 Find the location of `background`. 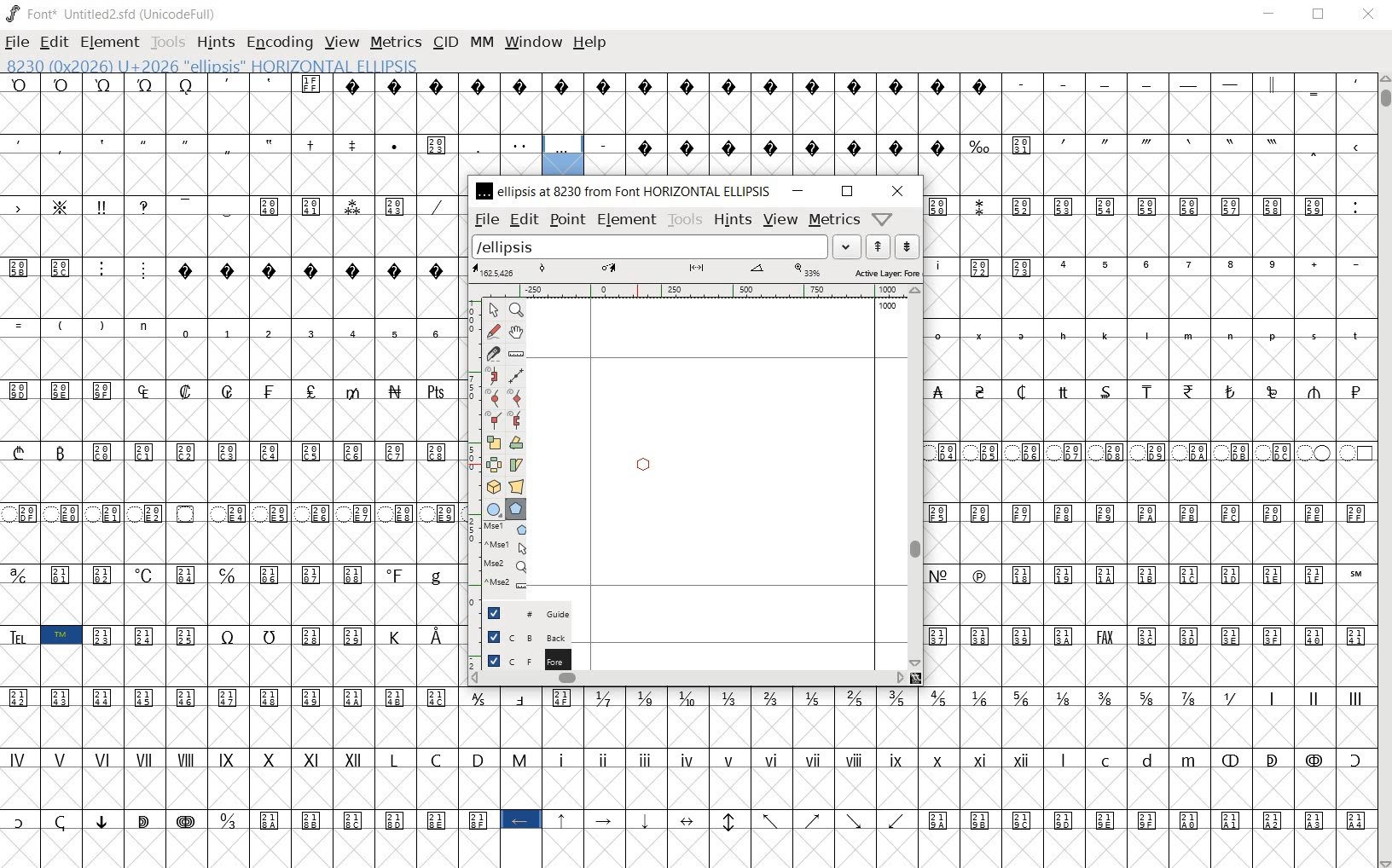

background is located at coordinates (521, 635).